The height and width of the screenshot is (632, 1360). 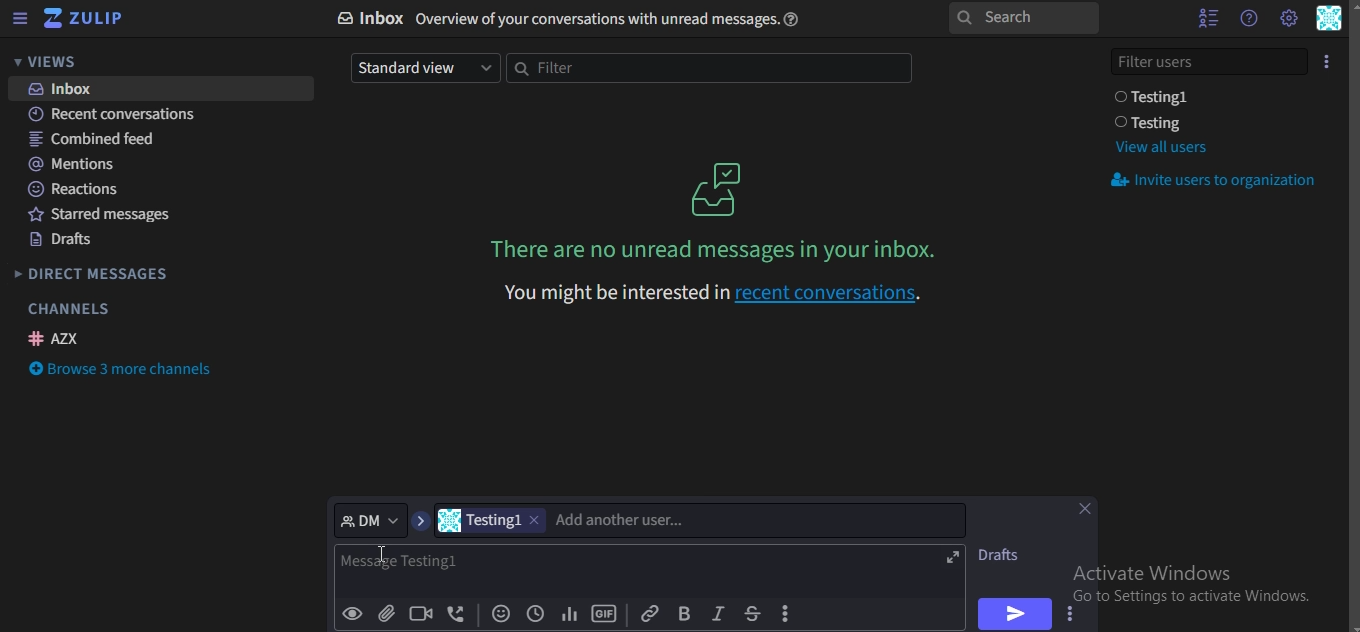 I want to click on filter, so click(x=706, y=69).